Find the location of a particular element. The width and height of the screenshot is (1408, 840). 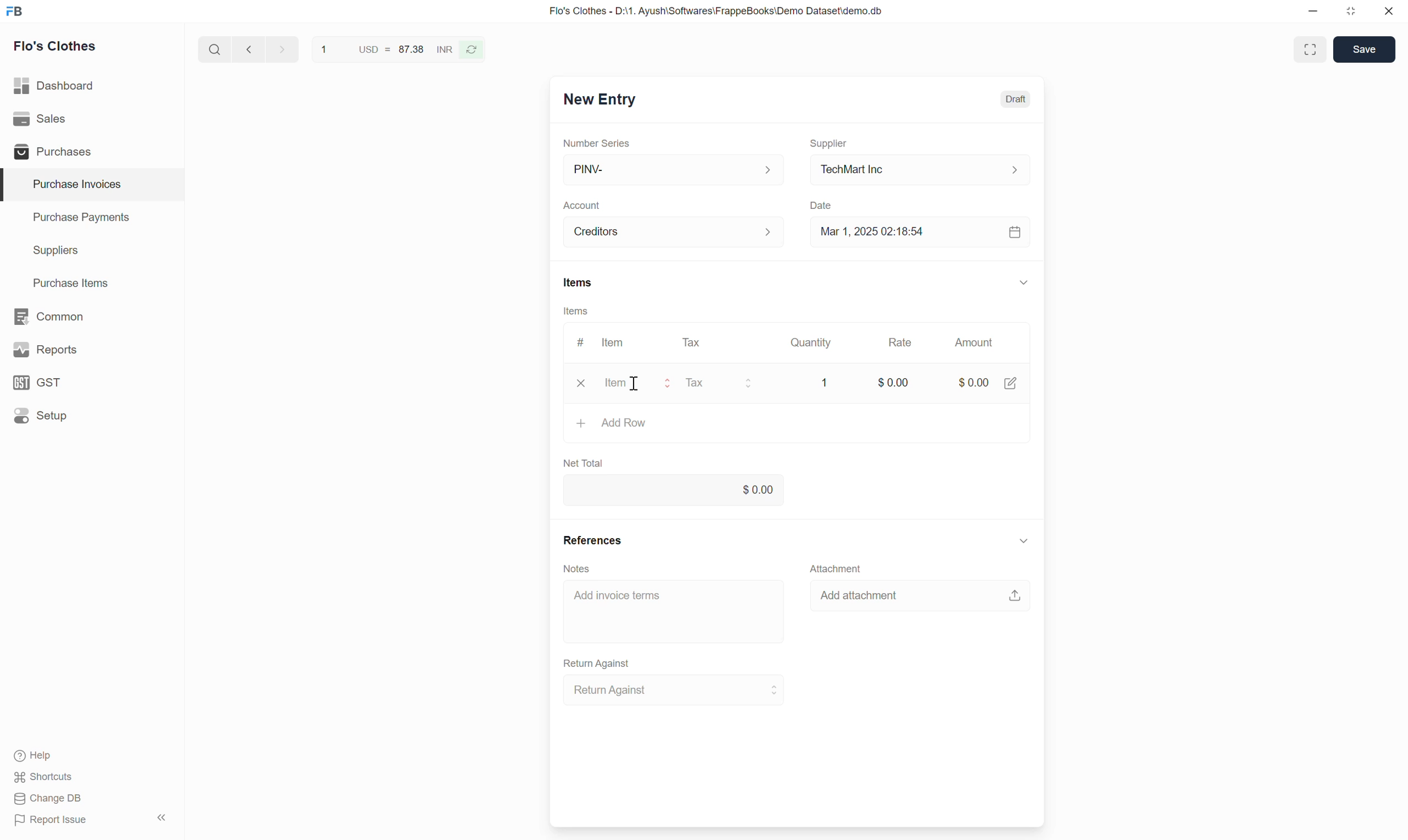

Change DB is located at coordinates (49, 798).